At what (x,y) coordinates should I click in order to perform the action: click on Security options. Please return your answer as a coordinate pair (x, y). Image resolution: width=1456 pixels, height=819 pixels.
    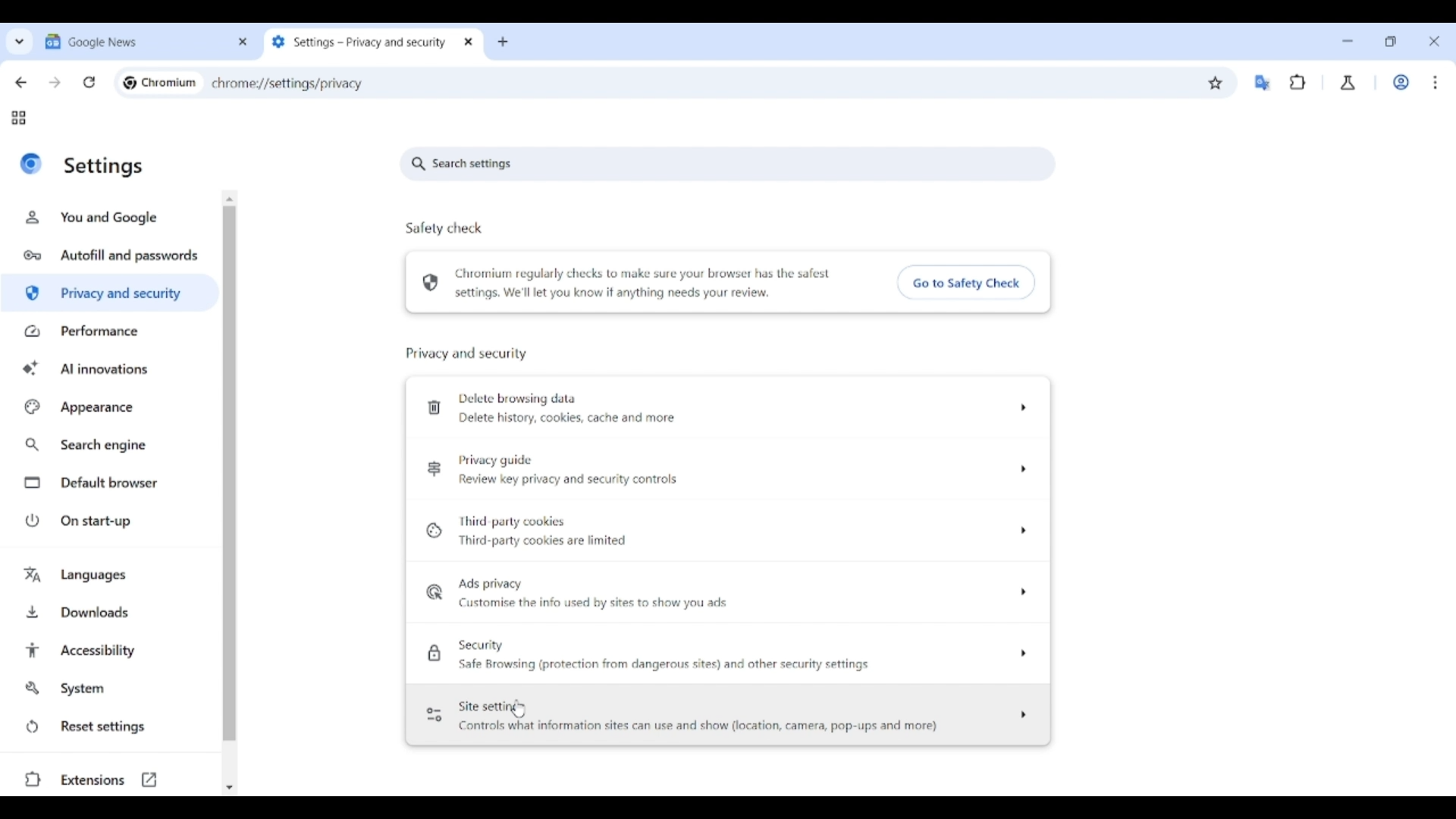
    Looking at the image, I should click on (729, 657).